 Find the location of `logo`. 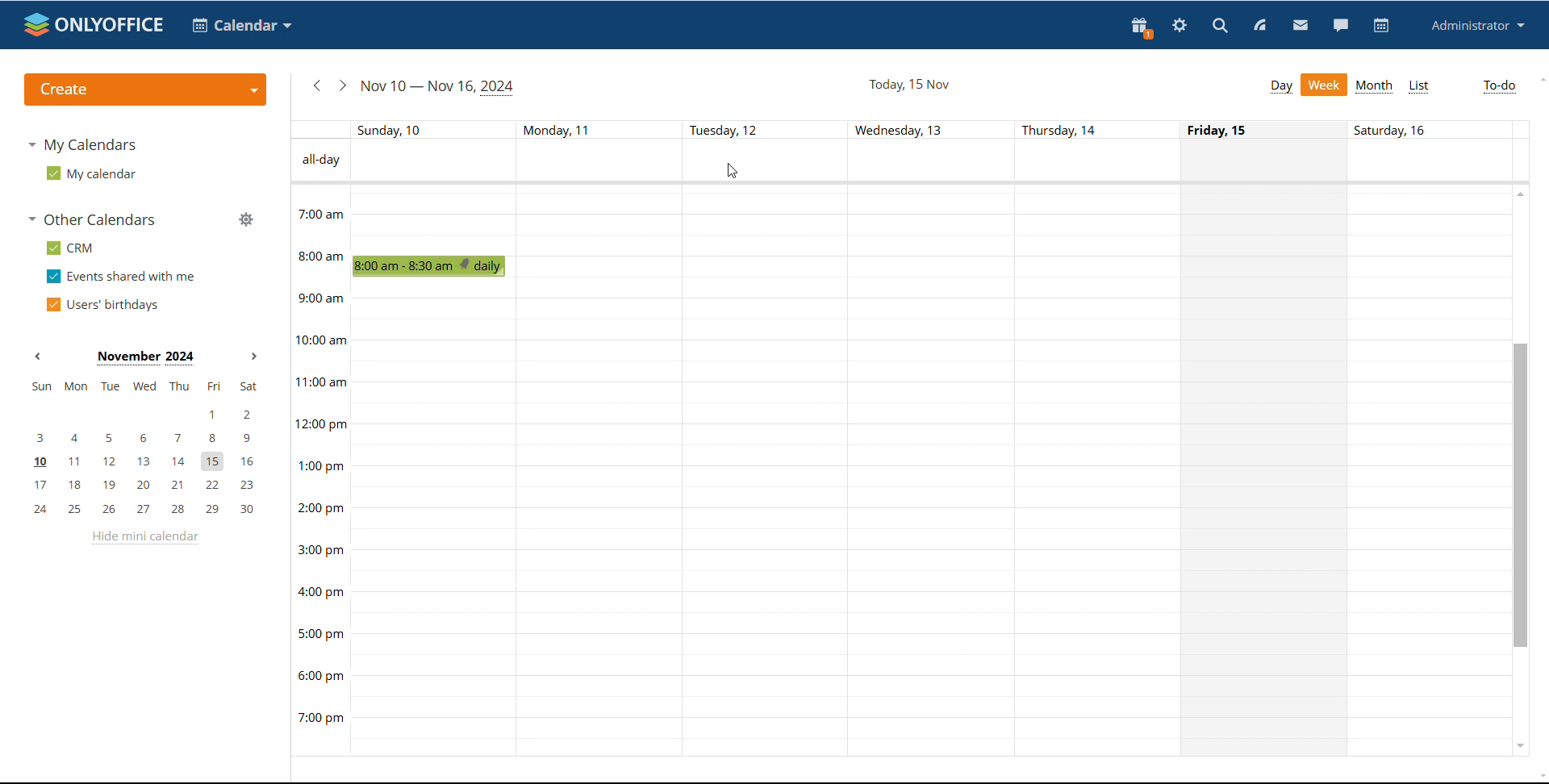

logo is located at coordinates (94, 26).